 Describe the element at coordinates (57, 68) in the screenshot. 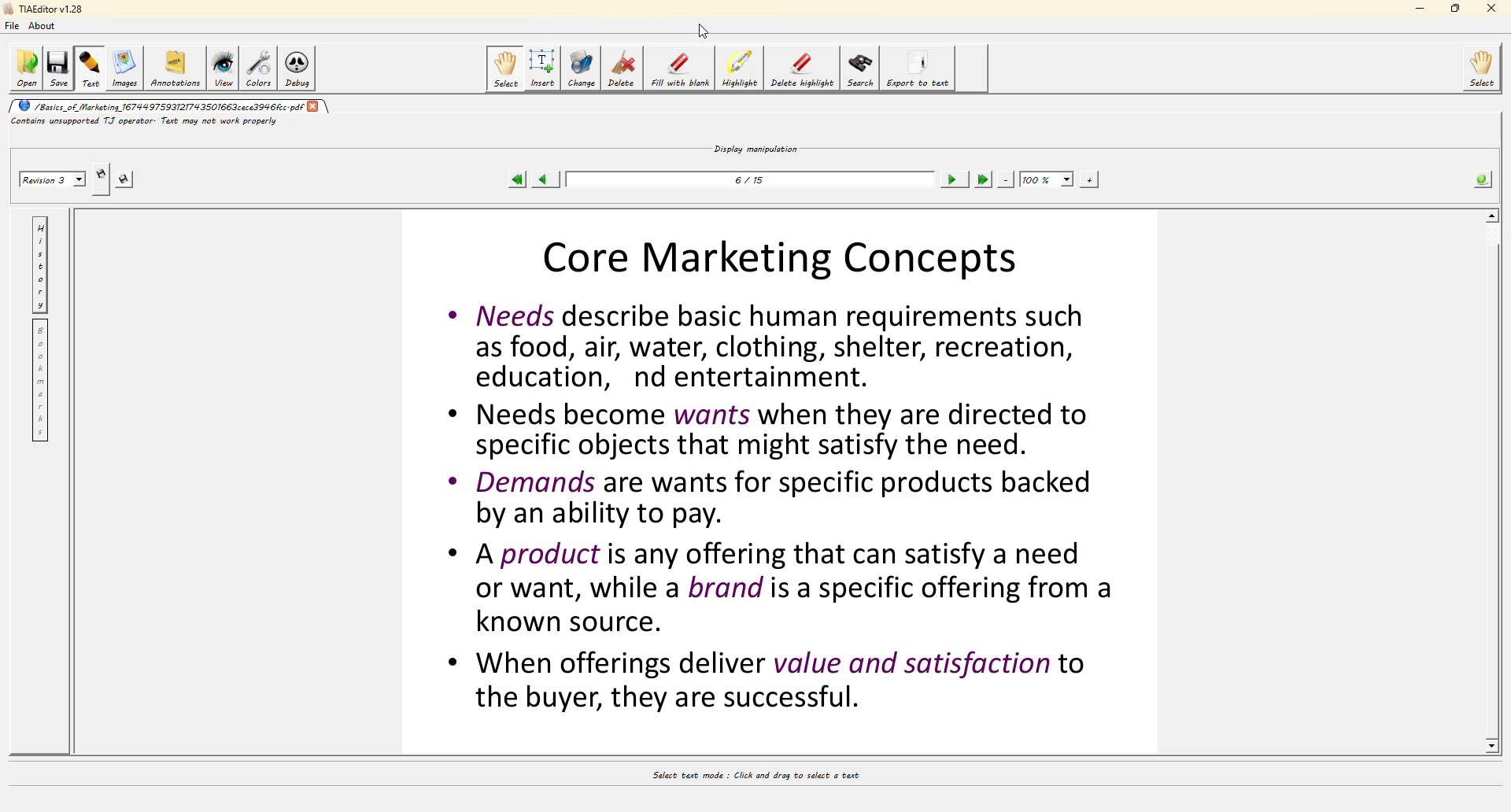

I see `save` at that location.